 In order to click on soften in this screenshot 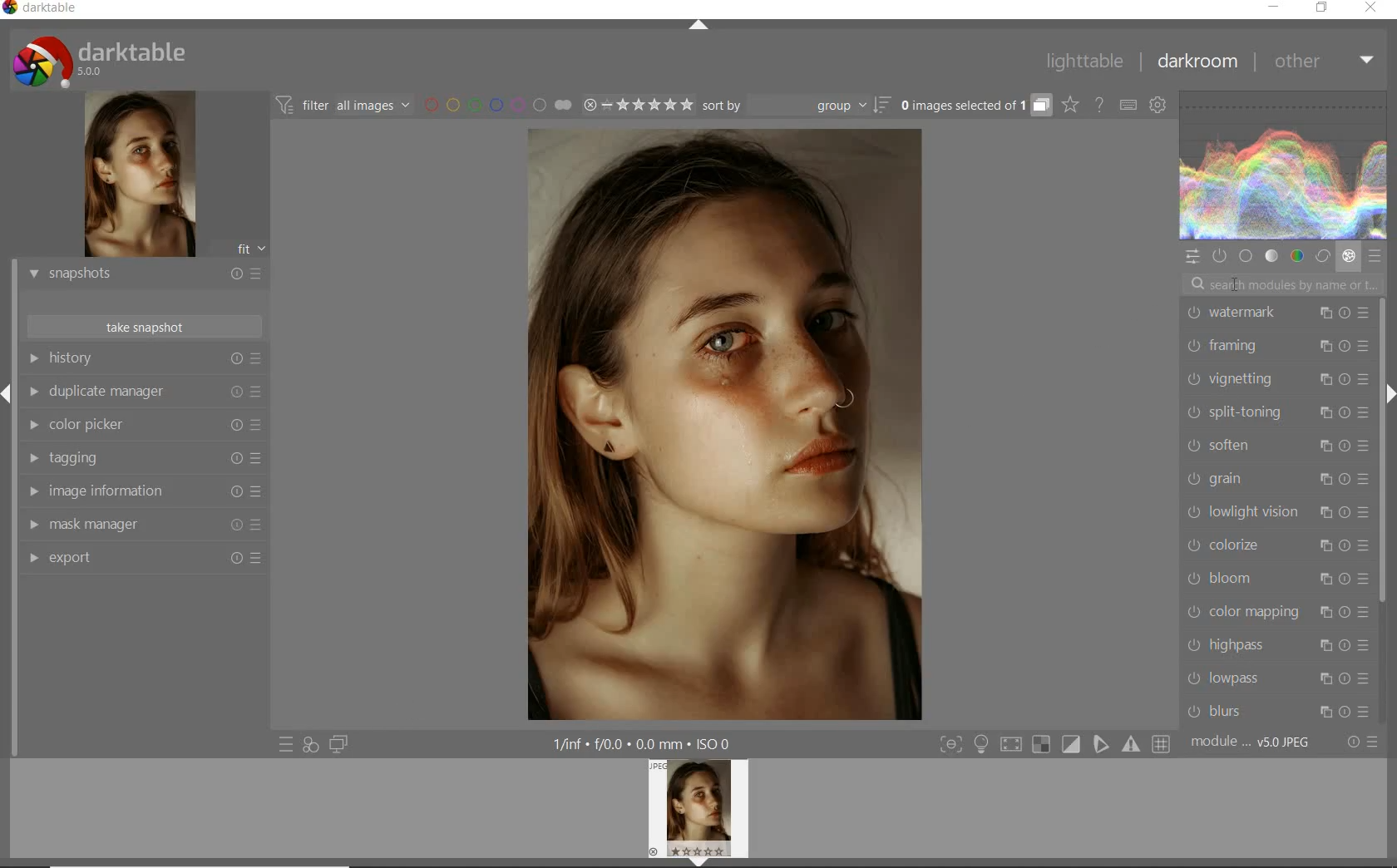, I will do `click(1276, 446)`.